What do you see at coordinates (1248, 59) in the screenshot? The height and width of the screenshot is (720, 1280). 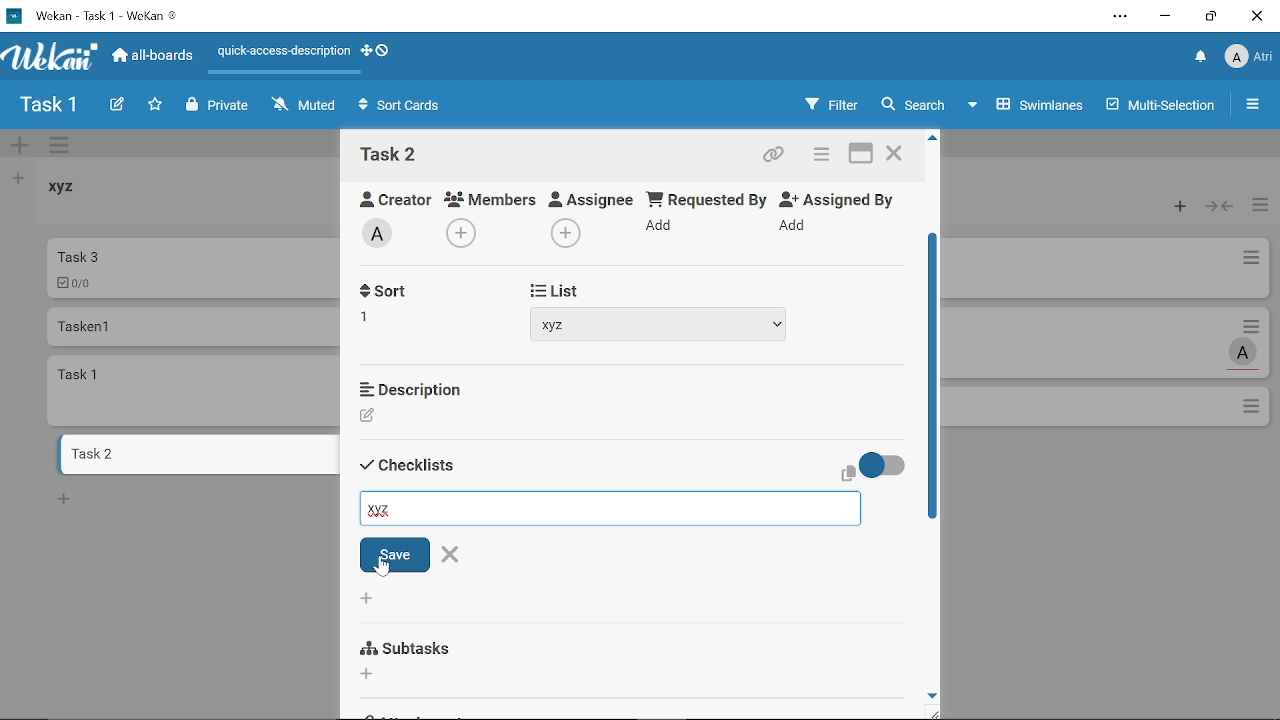 I see `Profile` at bounding box center [1248, 59].